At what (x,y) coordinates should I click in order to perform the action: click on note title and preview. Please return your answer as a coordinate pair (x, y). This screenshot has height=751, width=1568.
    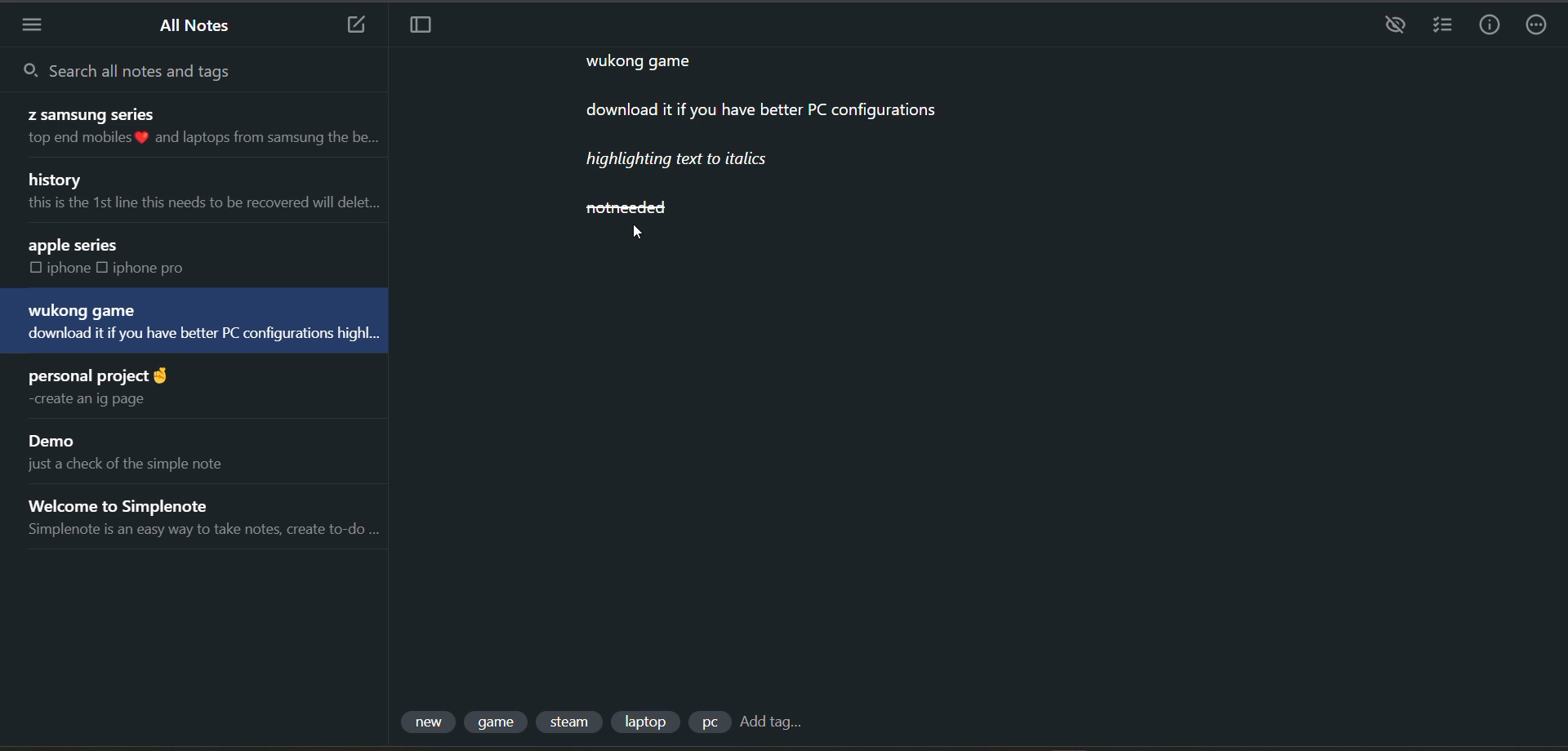
    Looking at the image, I should click on (105, 384).